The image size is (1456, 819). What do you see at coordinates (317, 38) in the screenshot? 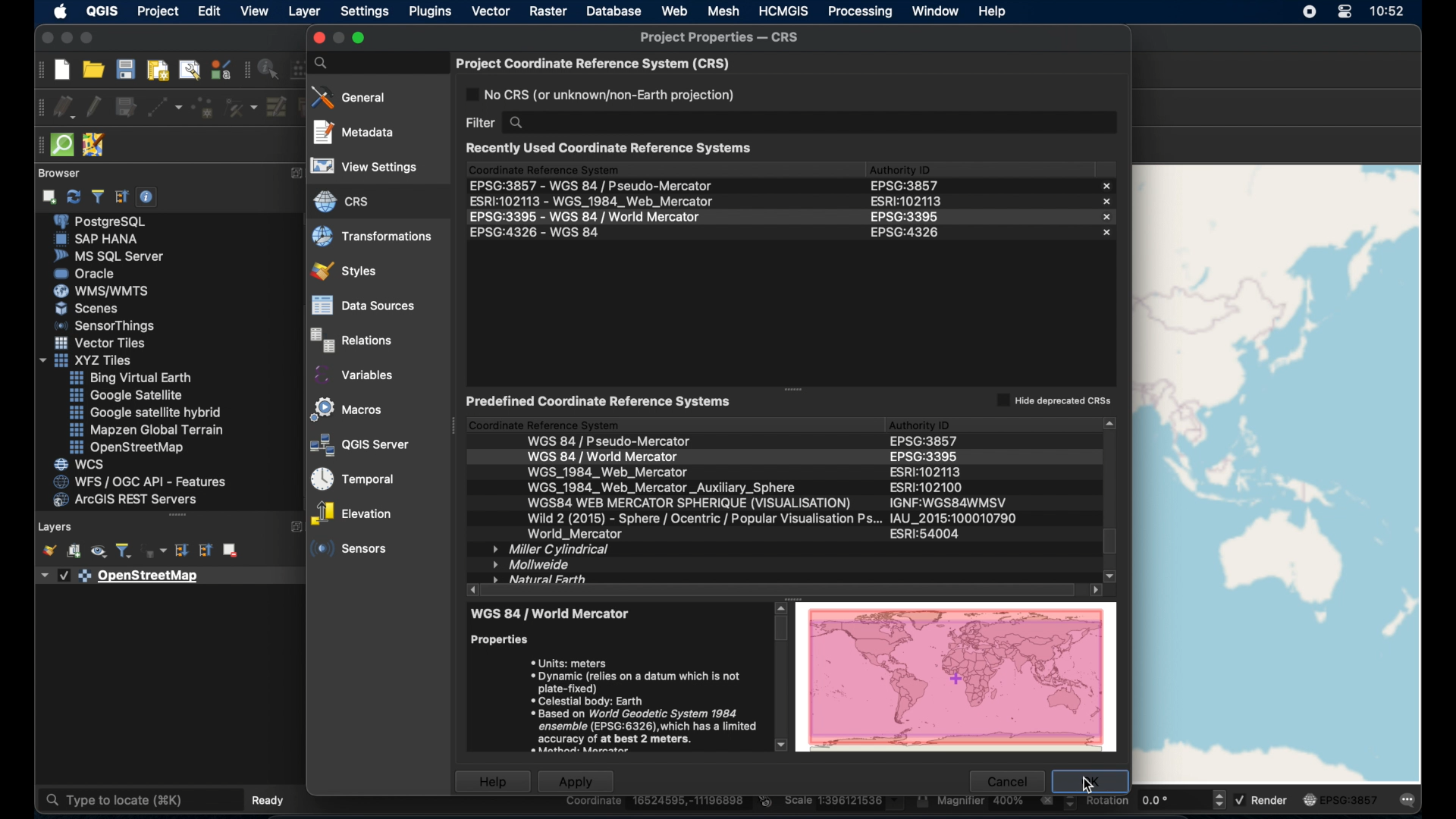
I see `close` at bounding box center [317, 38].